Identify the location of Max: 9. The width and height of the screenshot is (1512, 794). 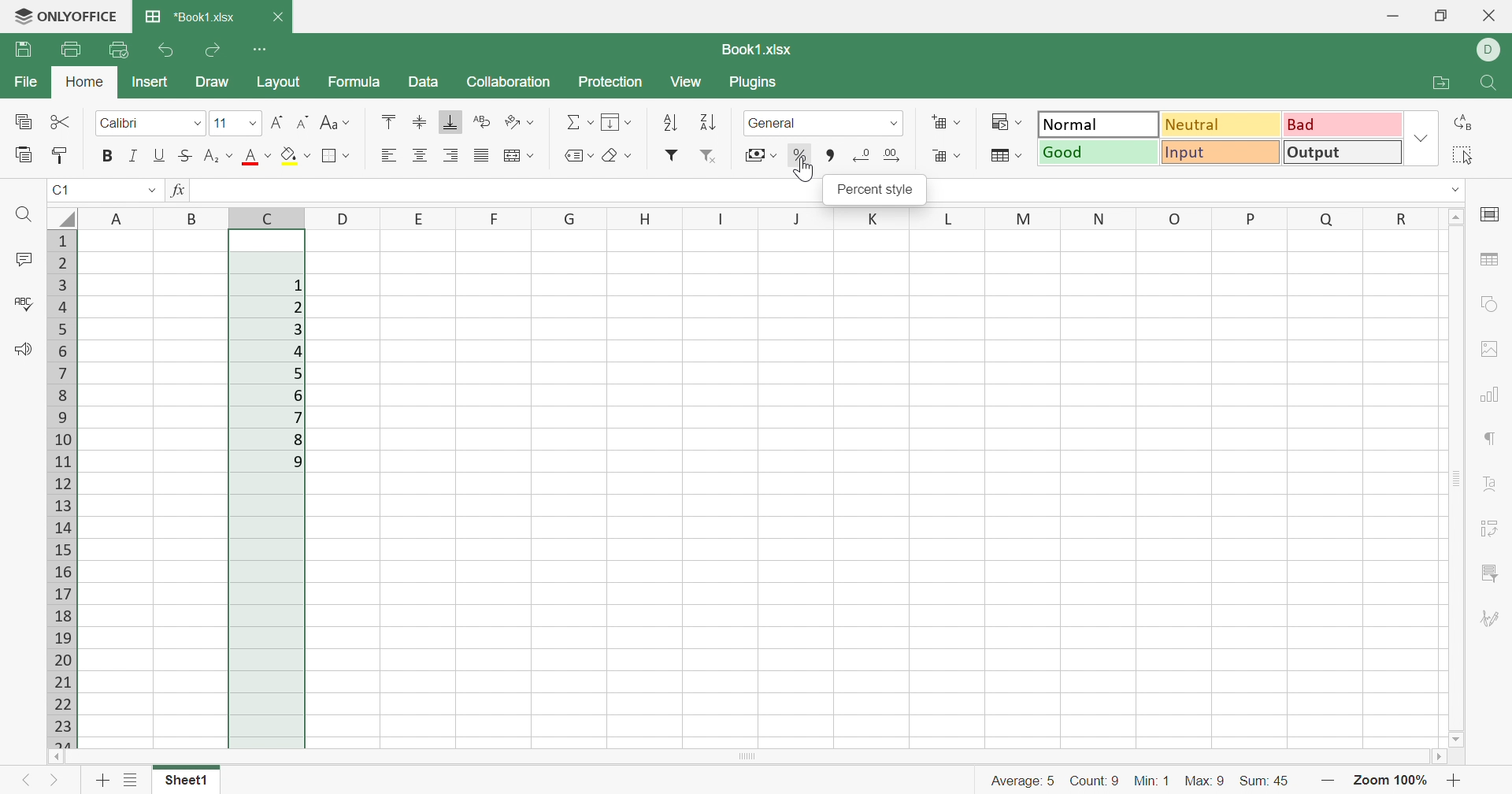
(1205, 781).